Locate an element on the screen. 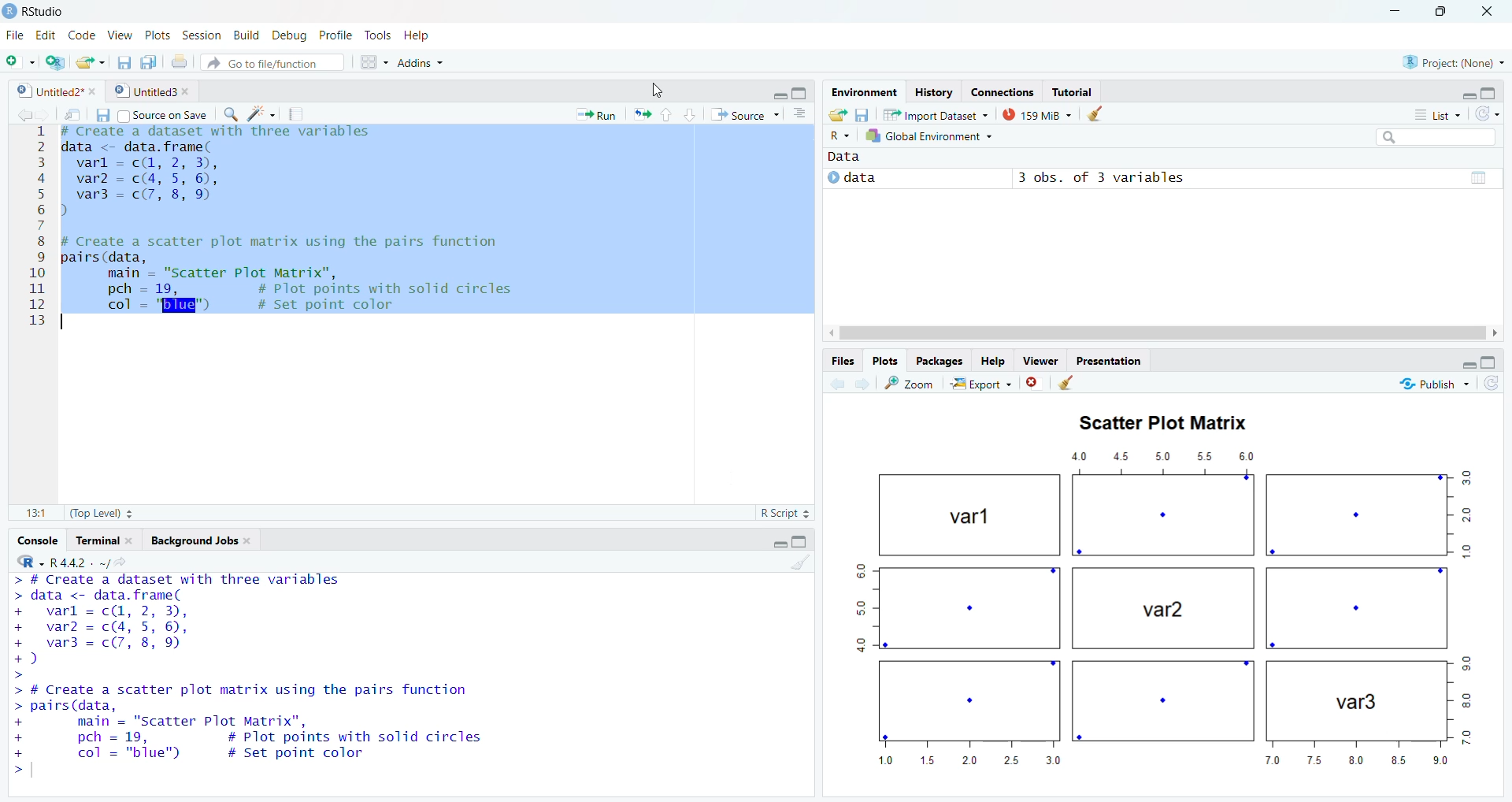  Code tools is located at coordinates (260, 115).